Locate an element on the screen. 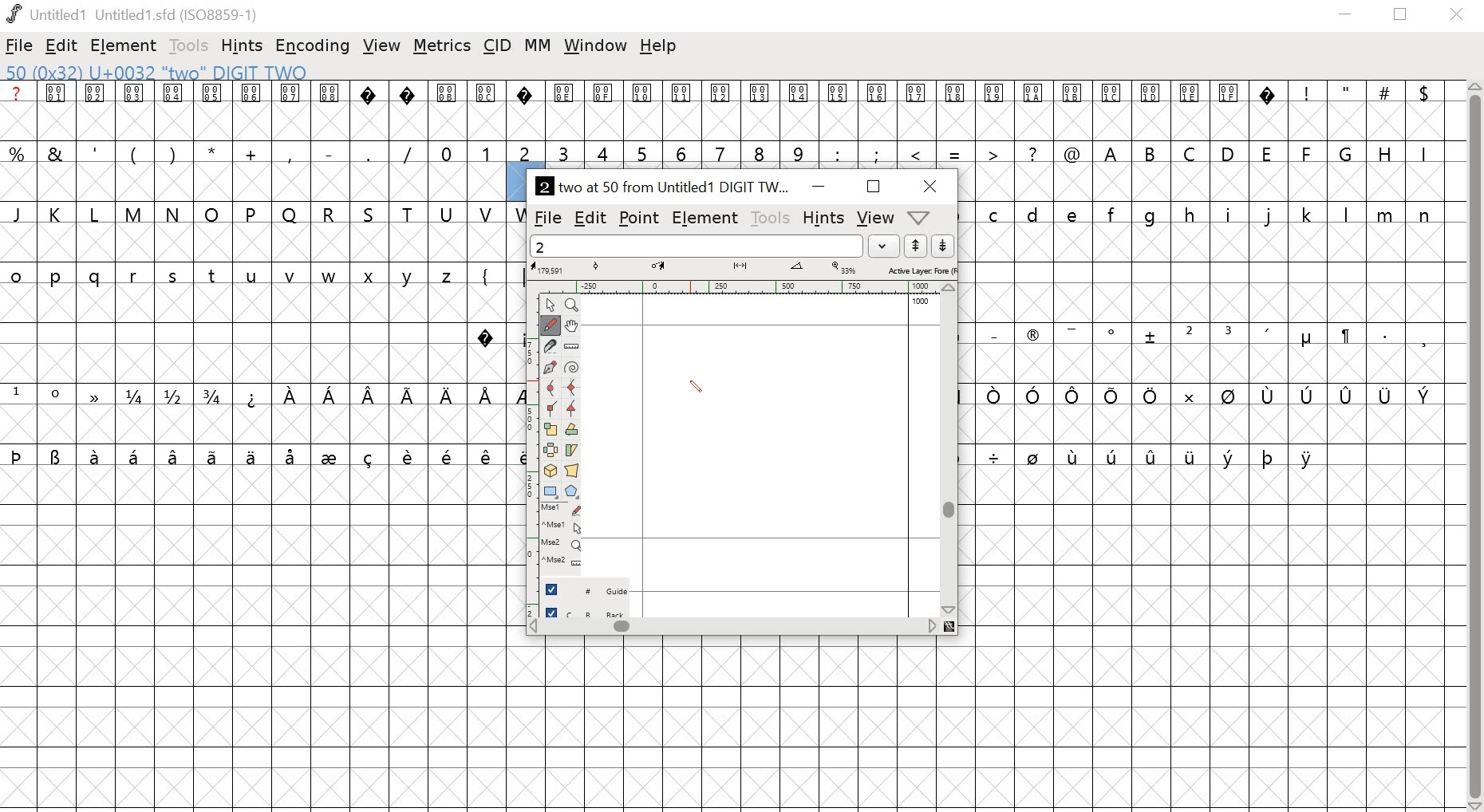 Image resolution: width=1484 pixels, height=812 pixels. scrollbar is located at coordinates (741, 628).